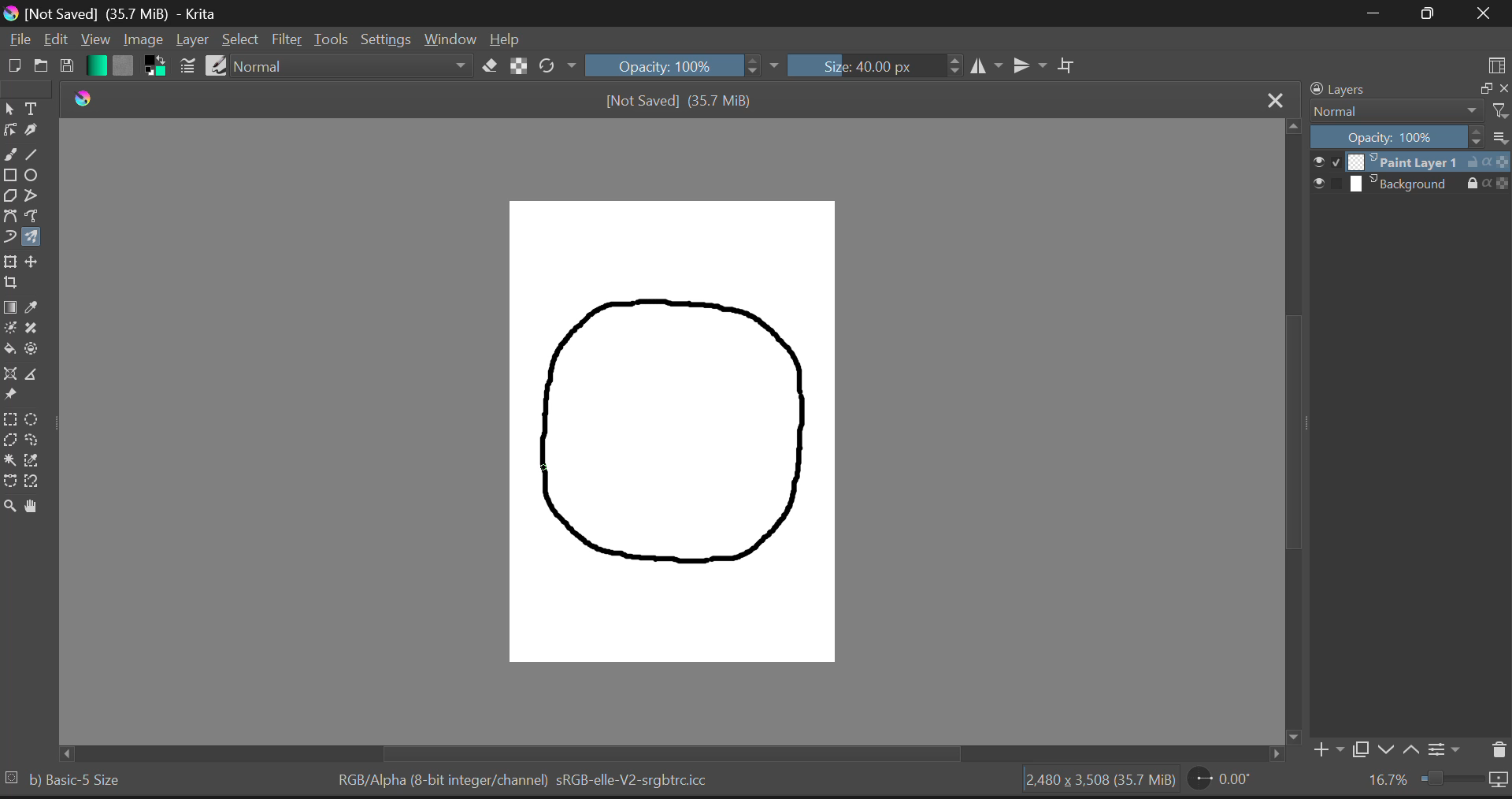  What do you see at coordinates (545, 469) in the screenshot?
I see `DRAG_TO Position` at bounding box center [545, 469].